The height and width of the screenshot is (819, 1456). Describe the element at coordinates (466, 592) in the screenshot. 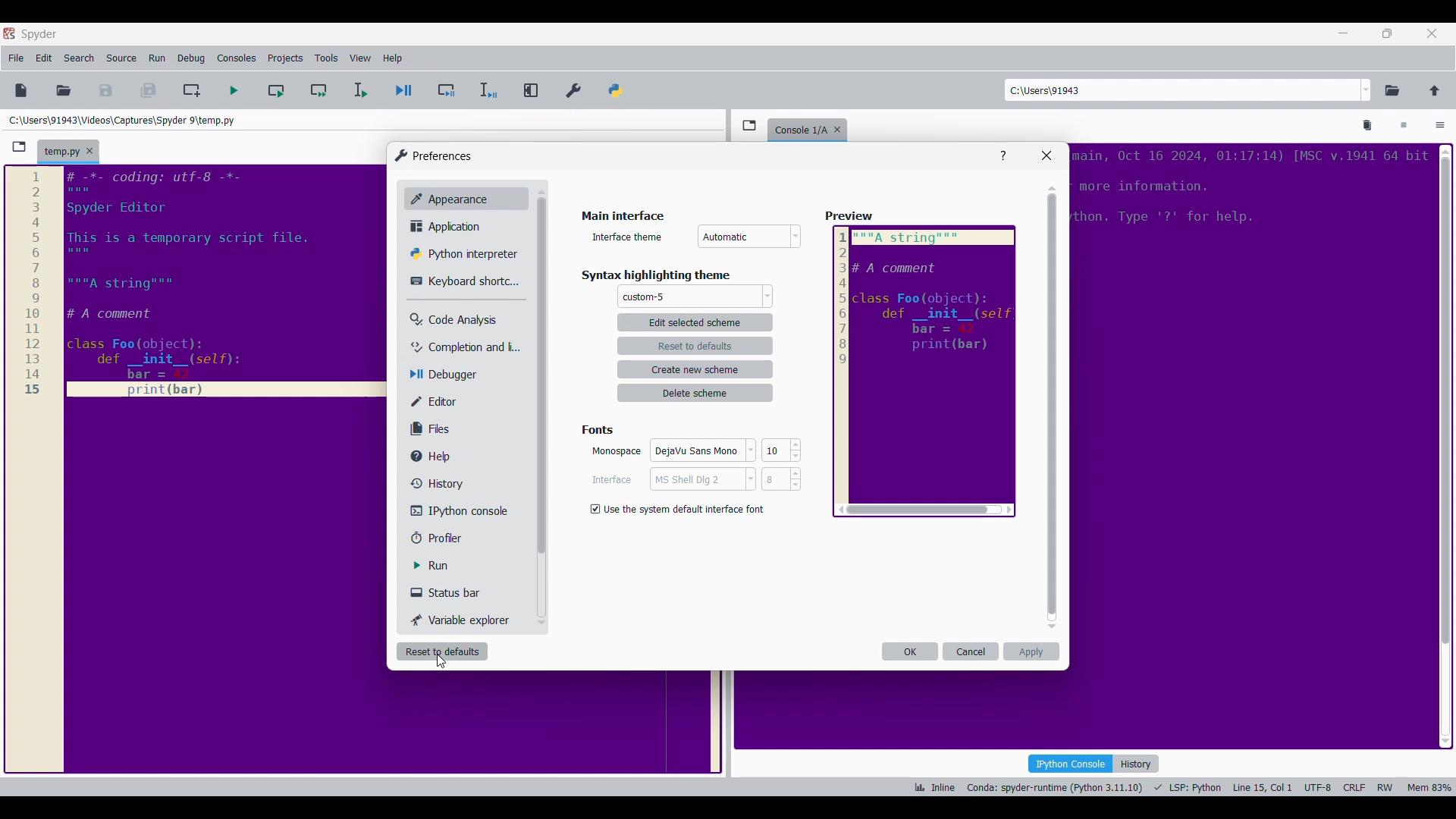

I see `Status bar` at that location.